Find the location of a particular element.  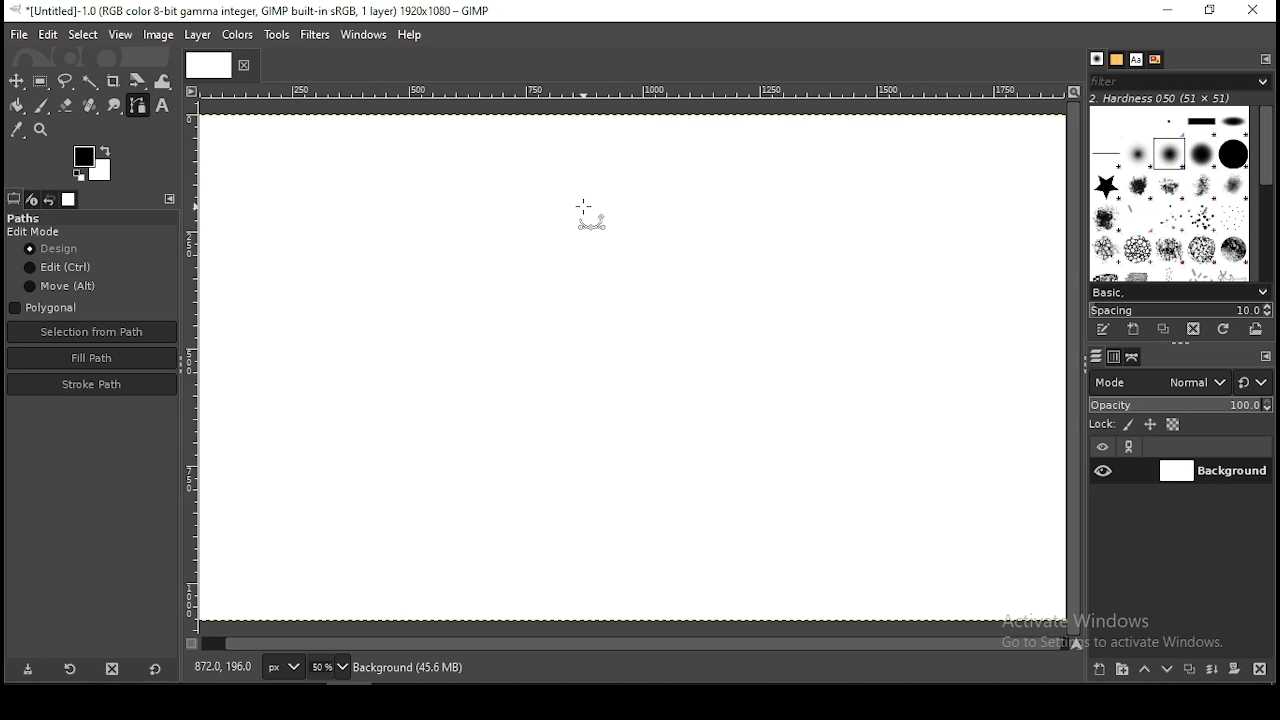

refresh brushes is located at coordinates (1223, 330).